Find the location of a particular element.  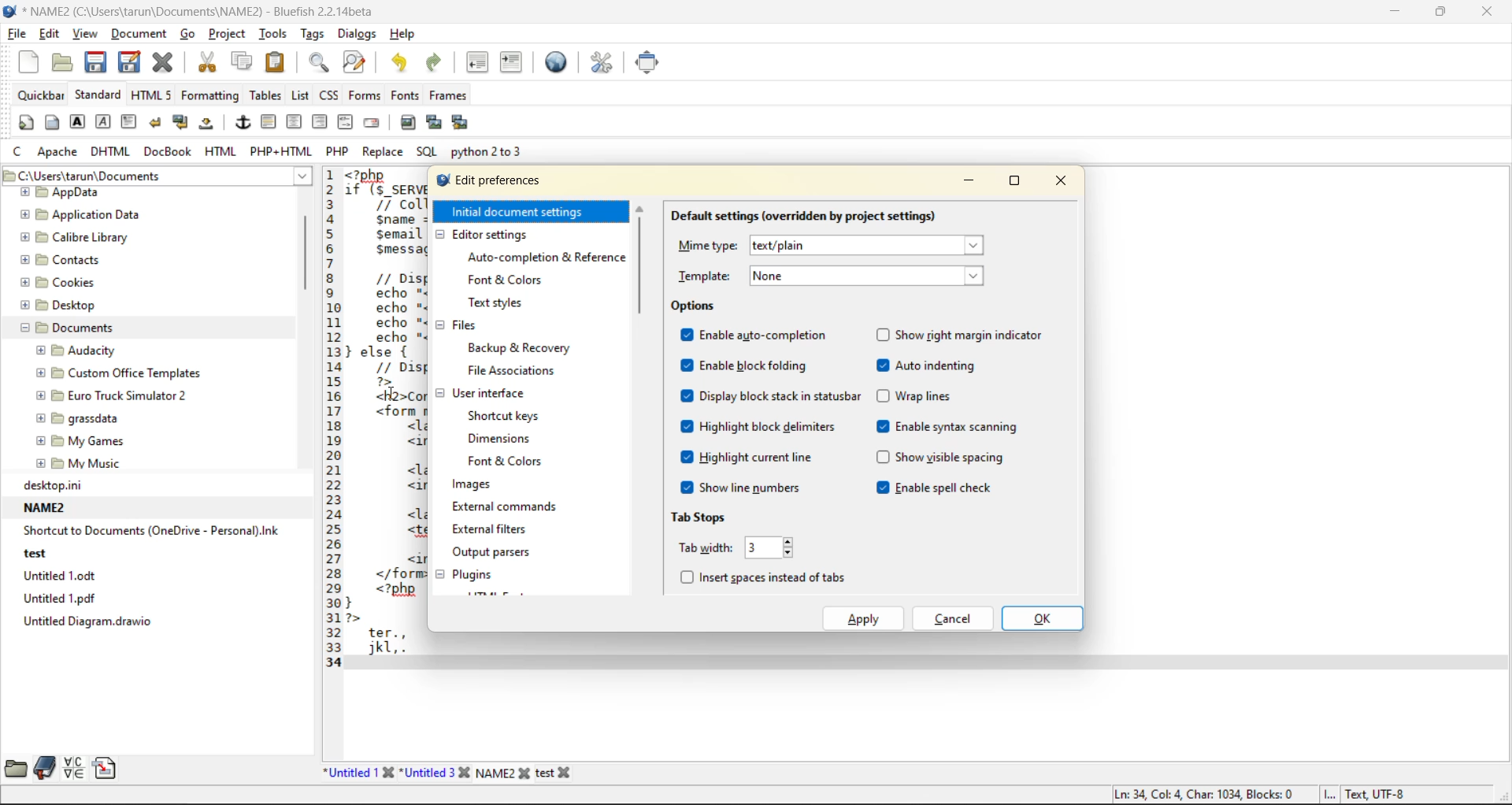

charmap is located at coordinates (72, 770).